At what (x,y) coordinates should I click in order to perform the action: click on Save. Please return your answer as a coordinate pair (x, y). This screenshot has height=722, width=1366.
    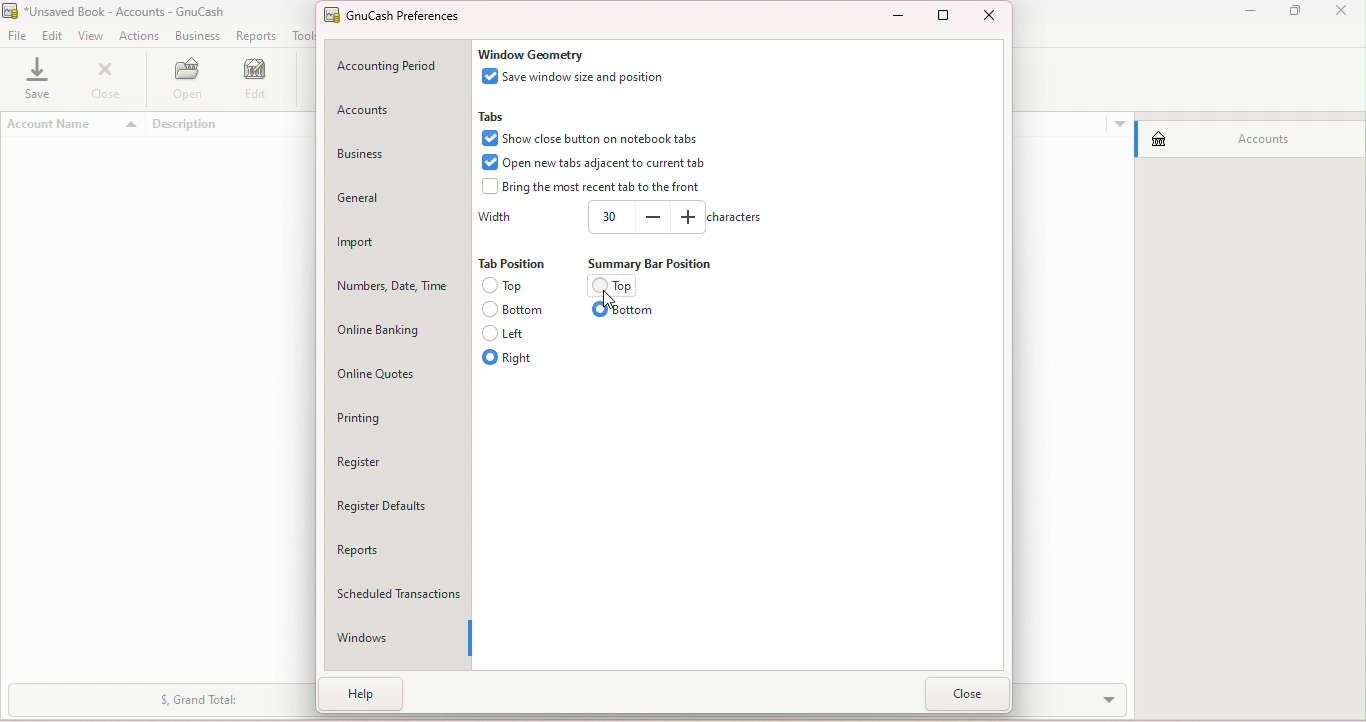
    Looking at the image, I should click on (41, 81).